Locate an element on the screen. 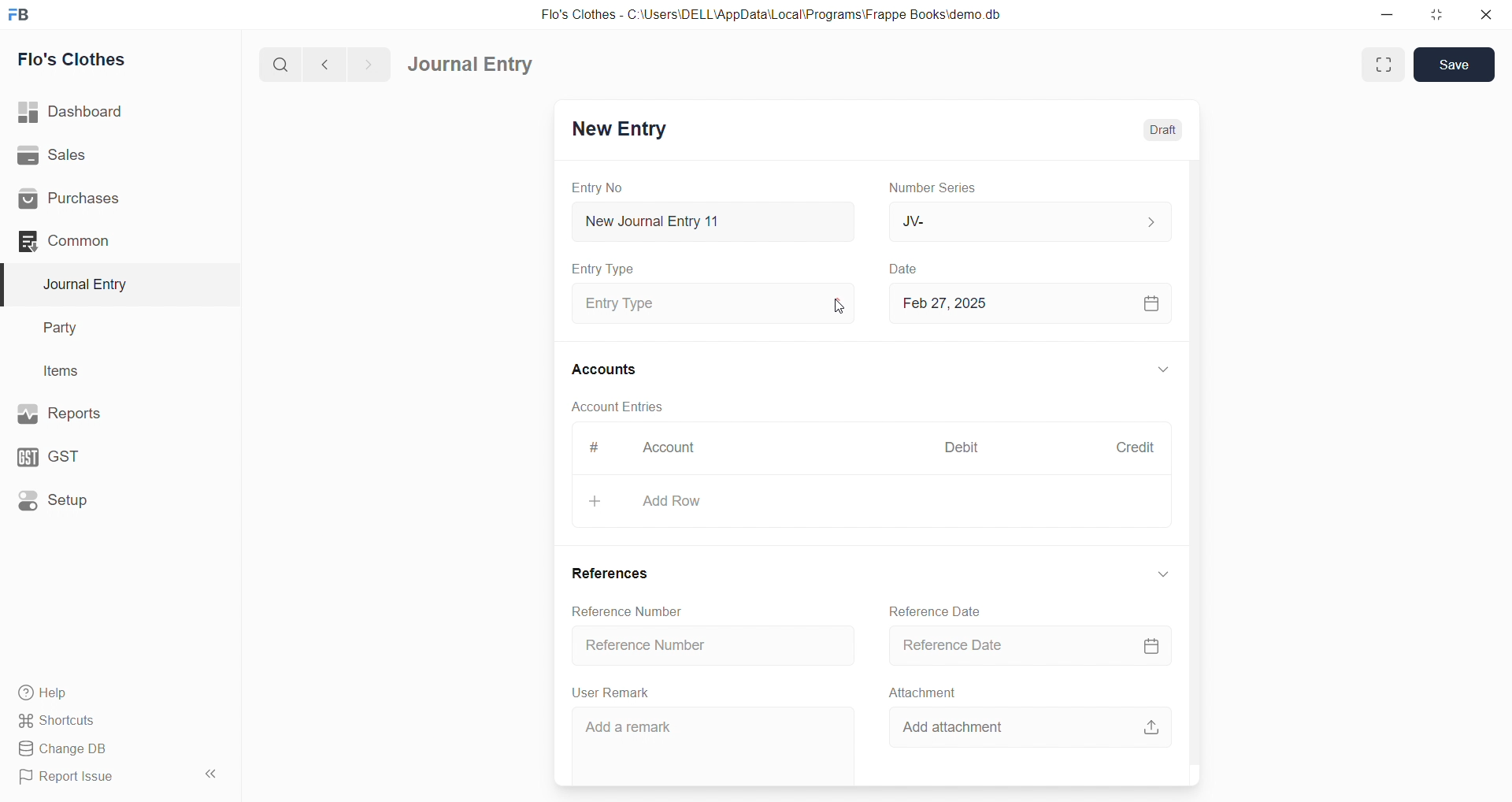 This screenshot has width=1512, height=802. Sales is located at coordinates (94, 154).